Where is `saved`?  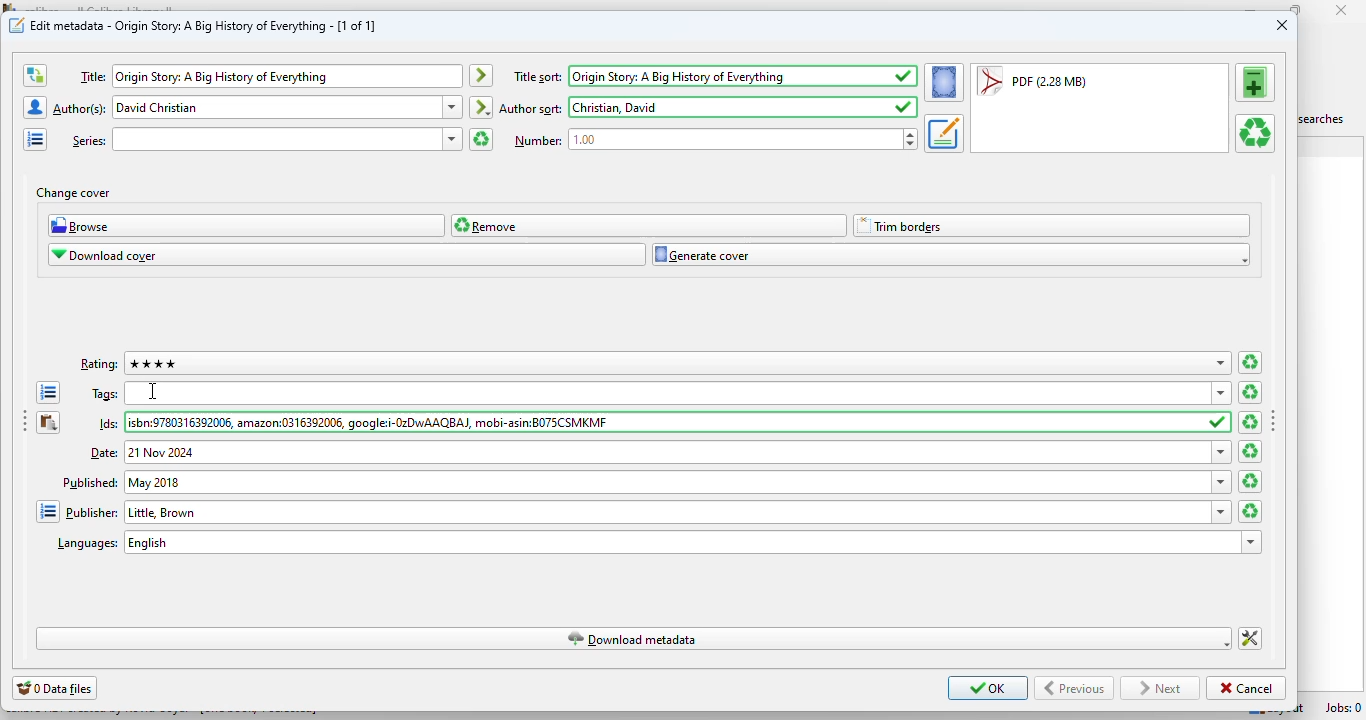 saved is located at coordinates (1219, 423).